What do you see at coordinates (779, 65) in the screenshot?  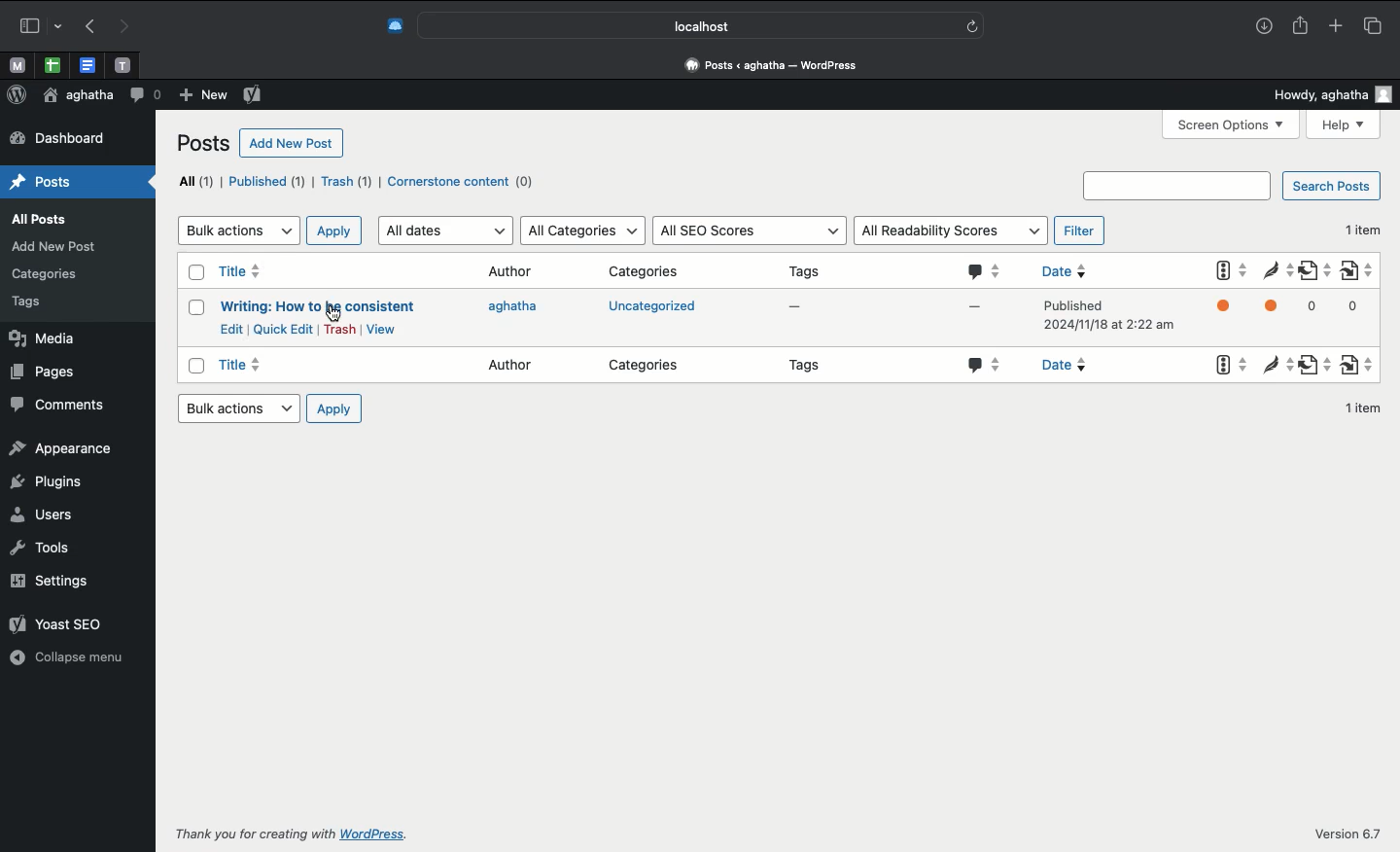 I see `Dashboard « aghatha — WordPress.` at bounding box center [779, 65].